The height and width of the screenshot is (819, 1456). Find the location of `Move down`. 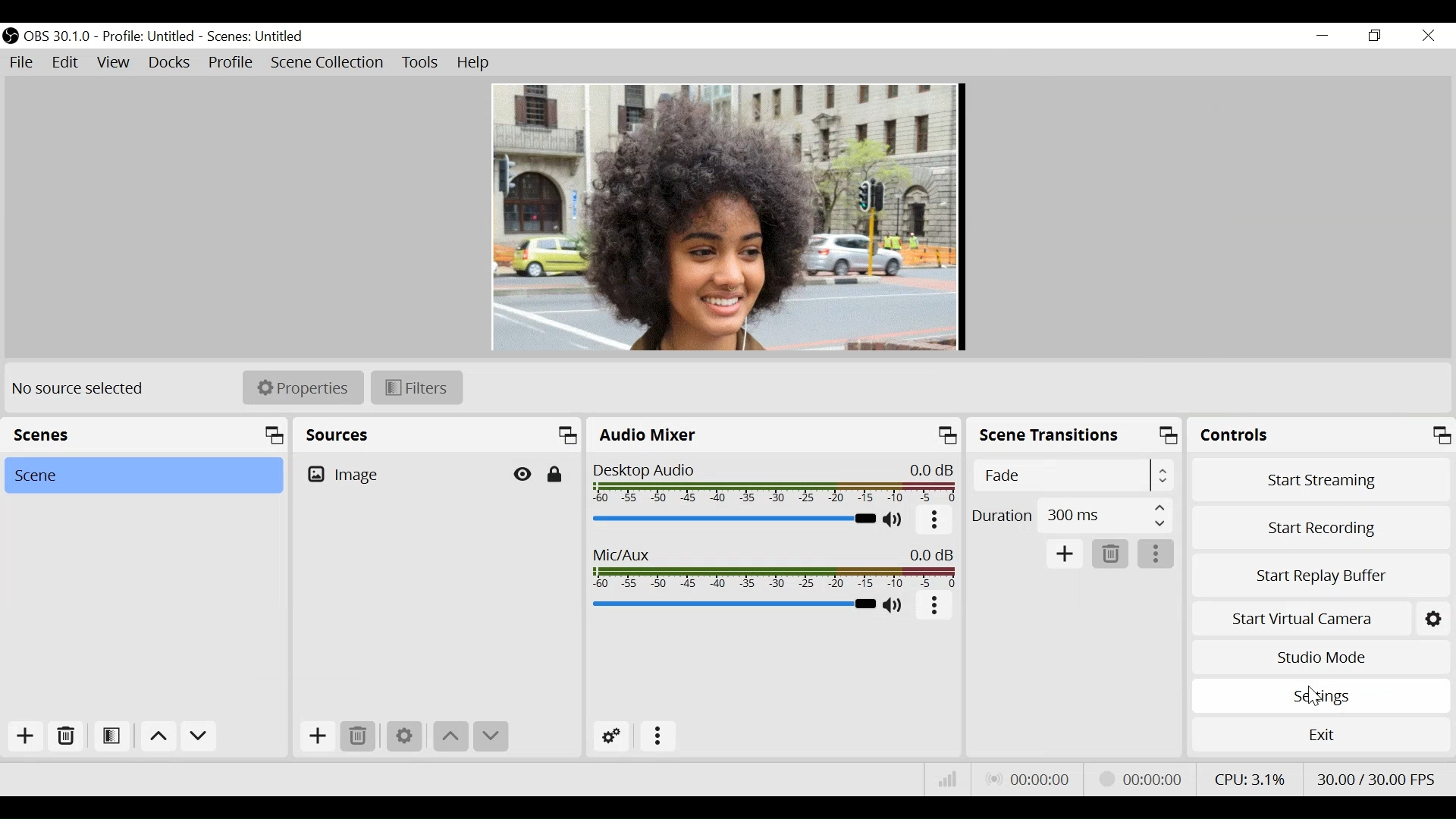

Move down is located at coordinates (451, 736).